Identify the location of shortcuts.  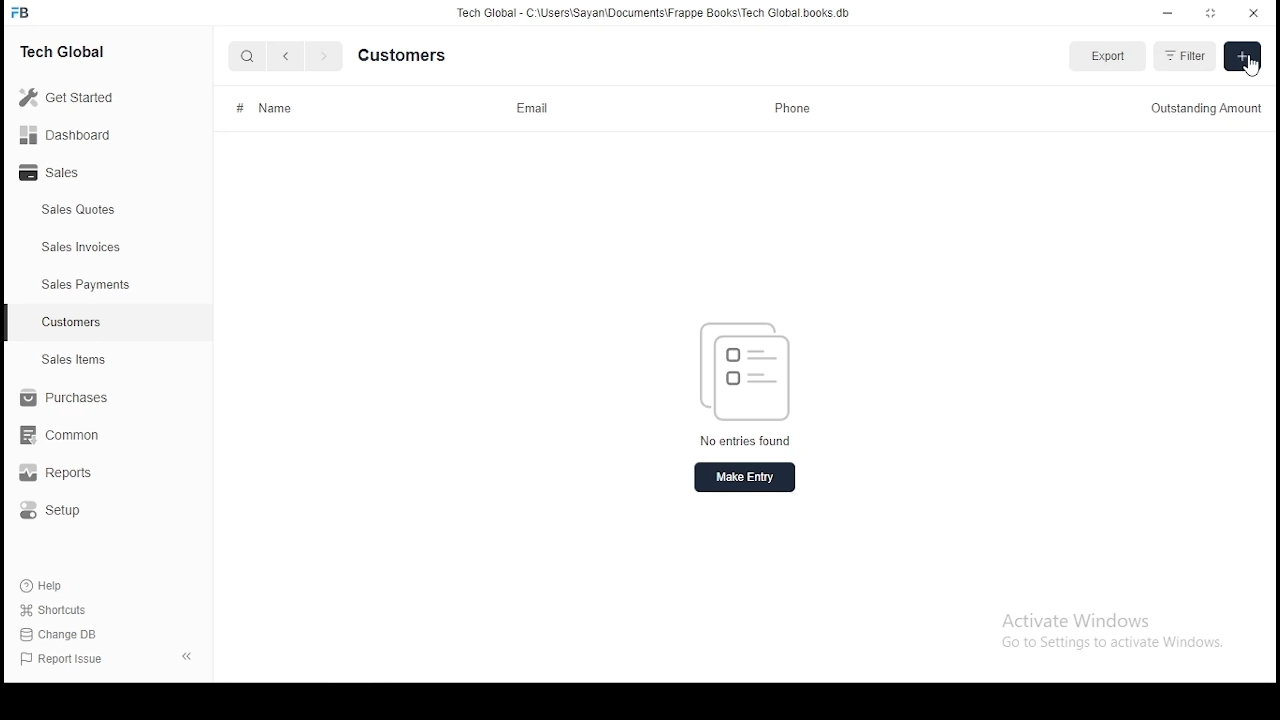
(52, 611).